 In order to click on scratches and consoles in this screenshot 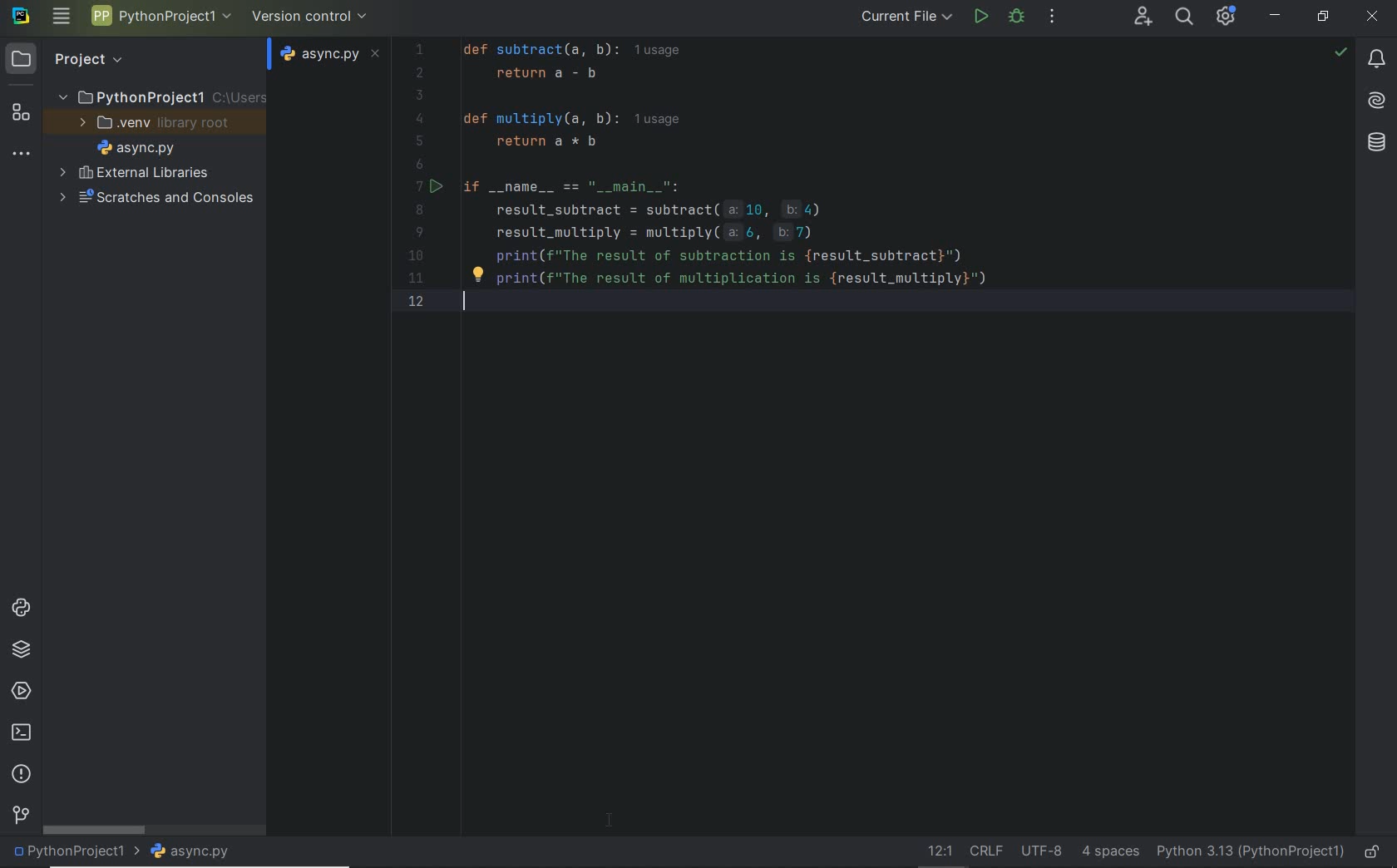, I will do `click(151, 200)`.